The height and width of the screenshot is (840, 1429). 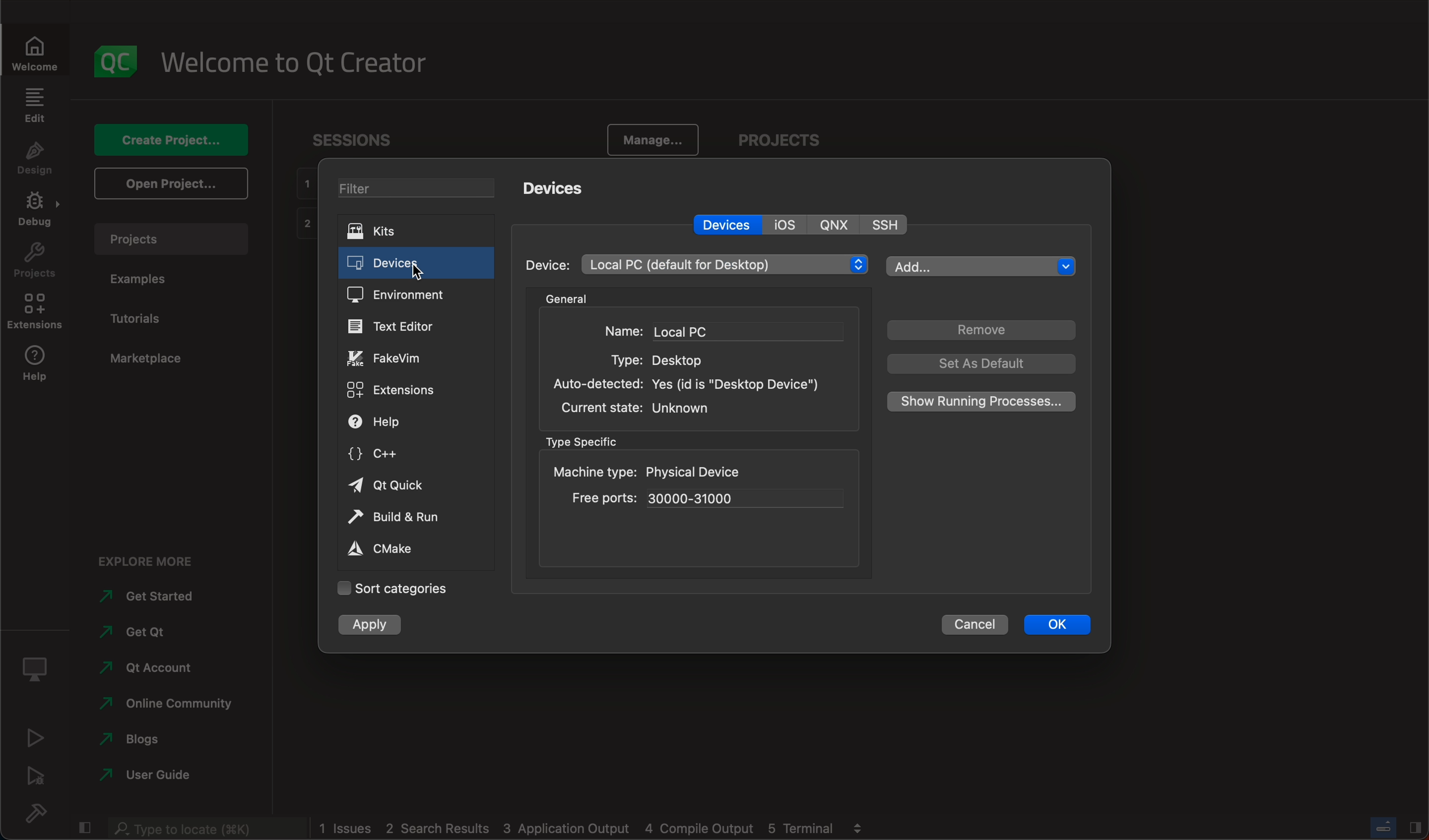 I want to click on C++, so click(x=400, y=455).